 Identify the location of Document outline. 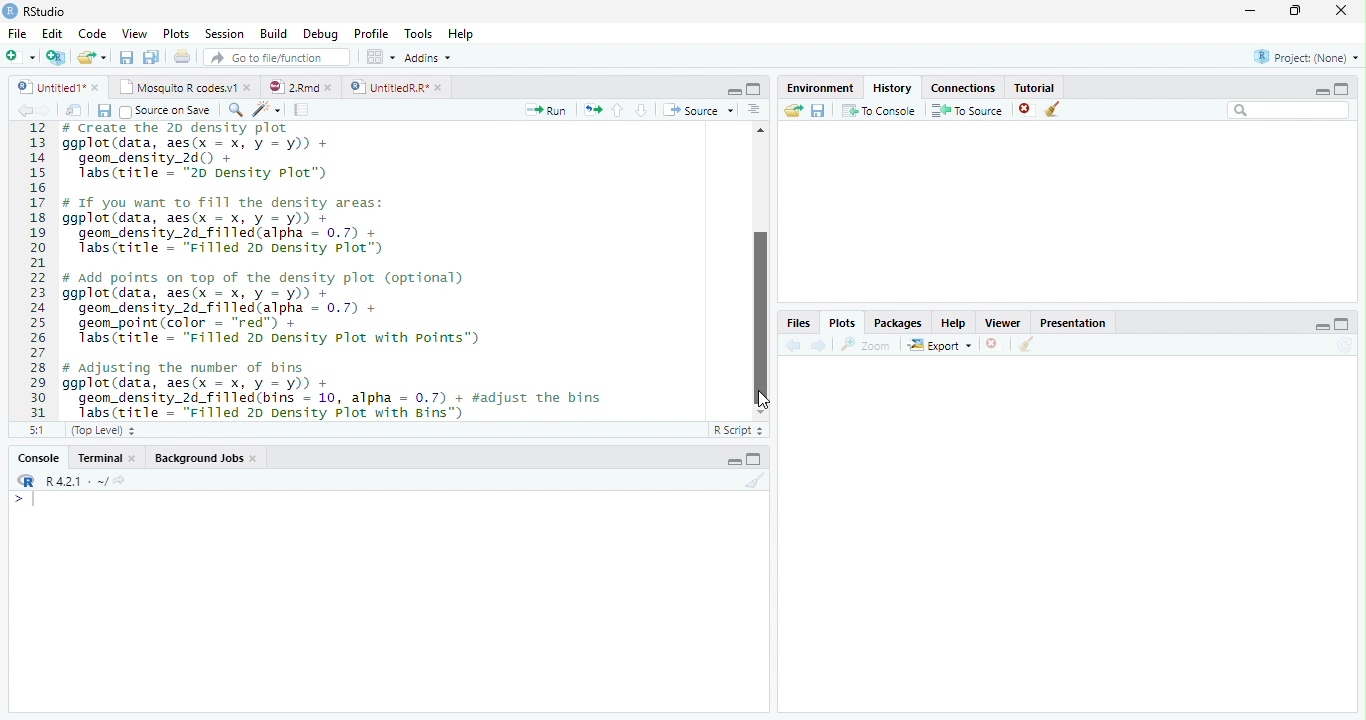
(754, 111).